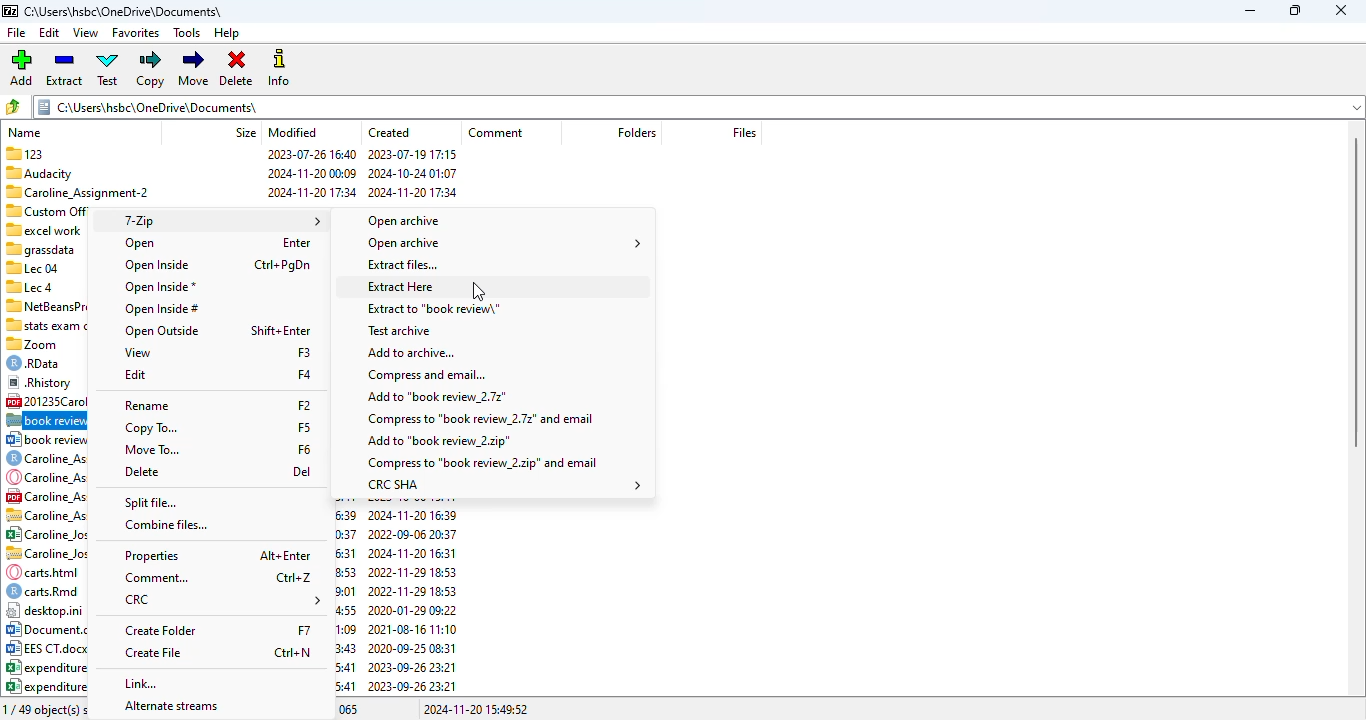 This screenshot has width=1366, height=720. What do you see at coordinates (280, 331) in the screenshot?
I see `shortcut for open outside` at bounding box center [280, 331].